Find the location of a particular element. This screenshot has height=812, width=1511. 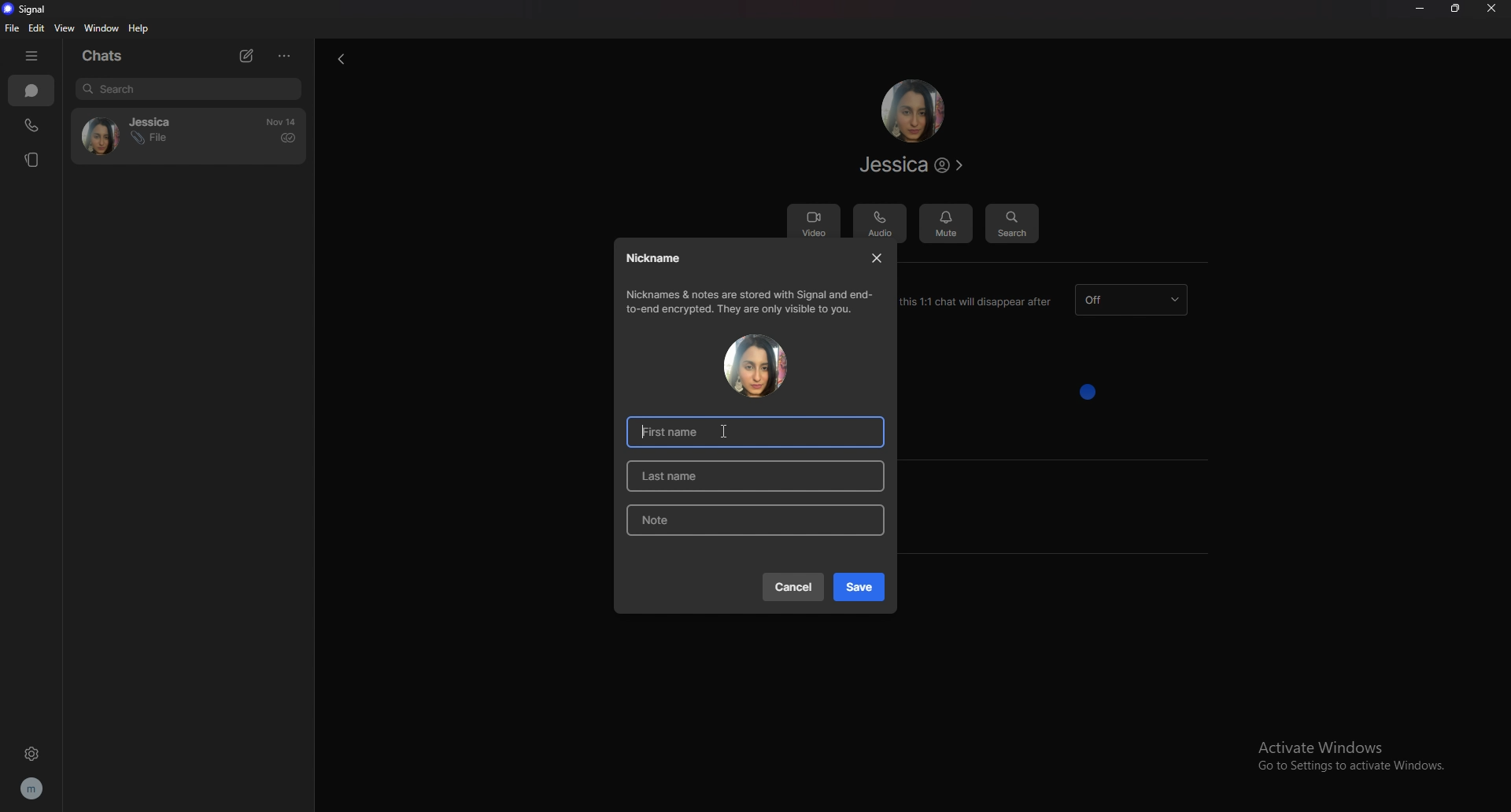

delivered is located at coordinates (288, 138).